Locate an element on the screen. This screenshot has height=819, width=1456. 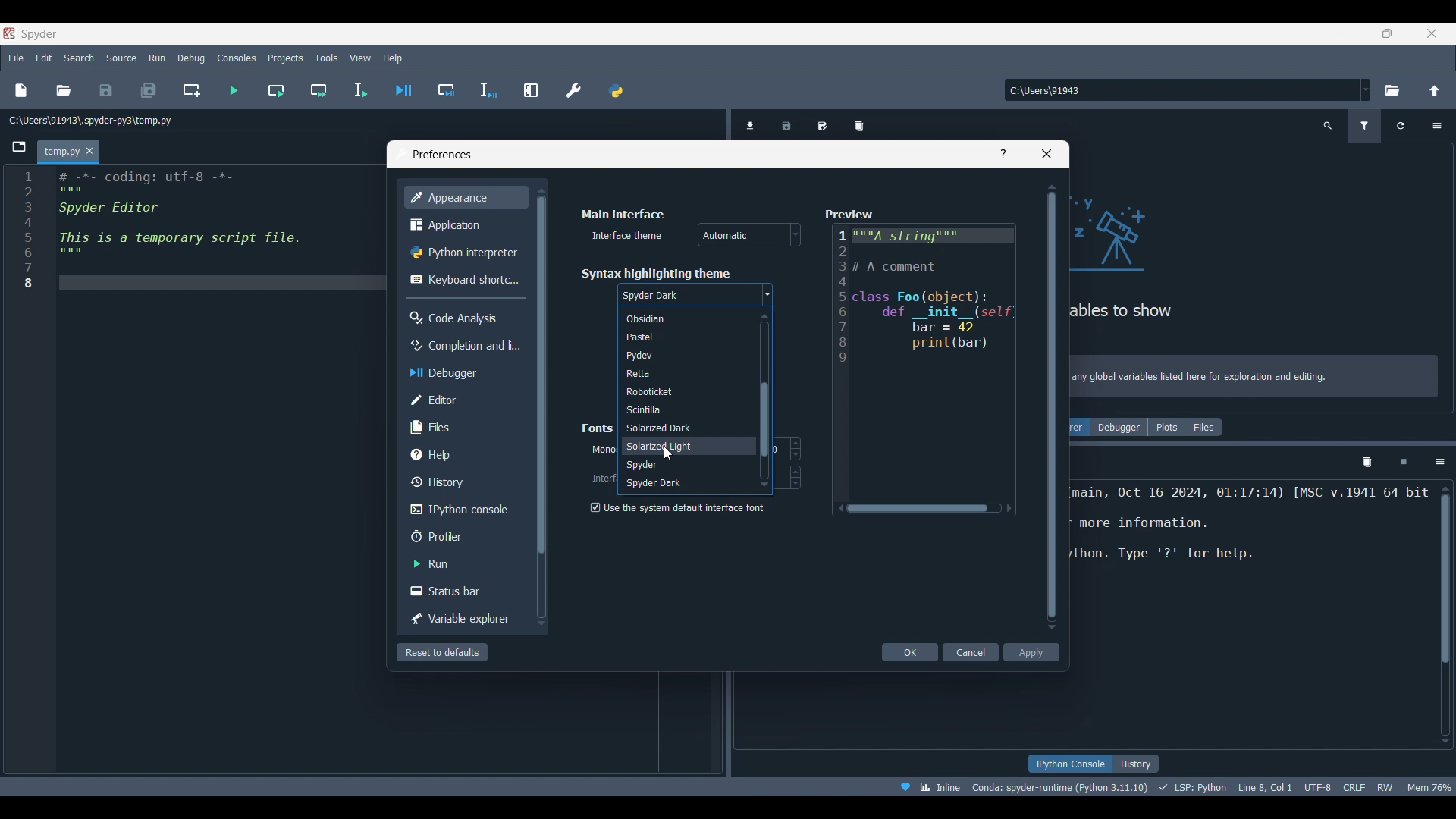
Status bar is located at coordinates (463, 591).